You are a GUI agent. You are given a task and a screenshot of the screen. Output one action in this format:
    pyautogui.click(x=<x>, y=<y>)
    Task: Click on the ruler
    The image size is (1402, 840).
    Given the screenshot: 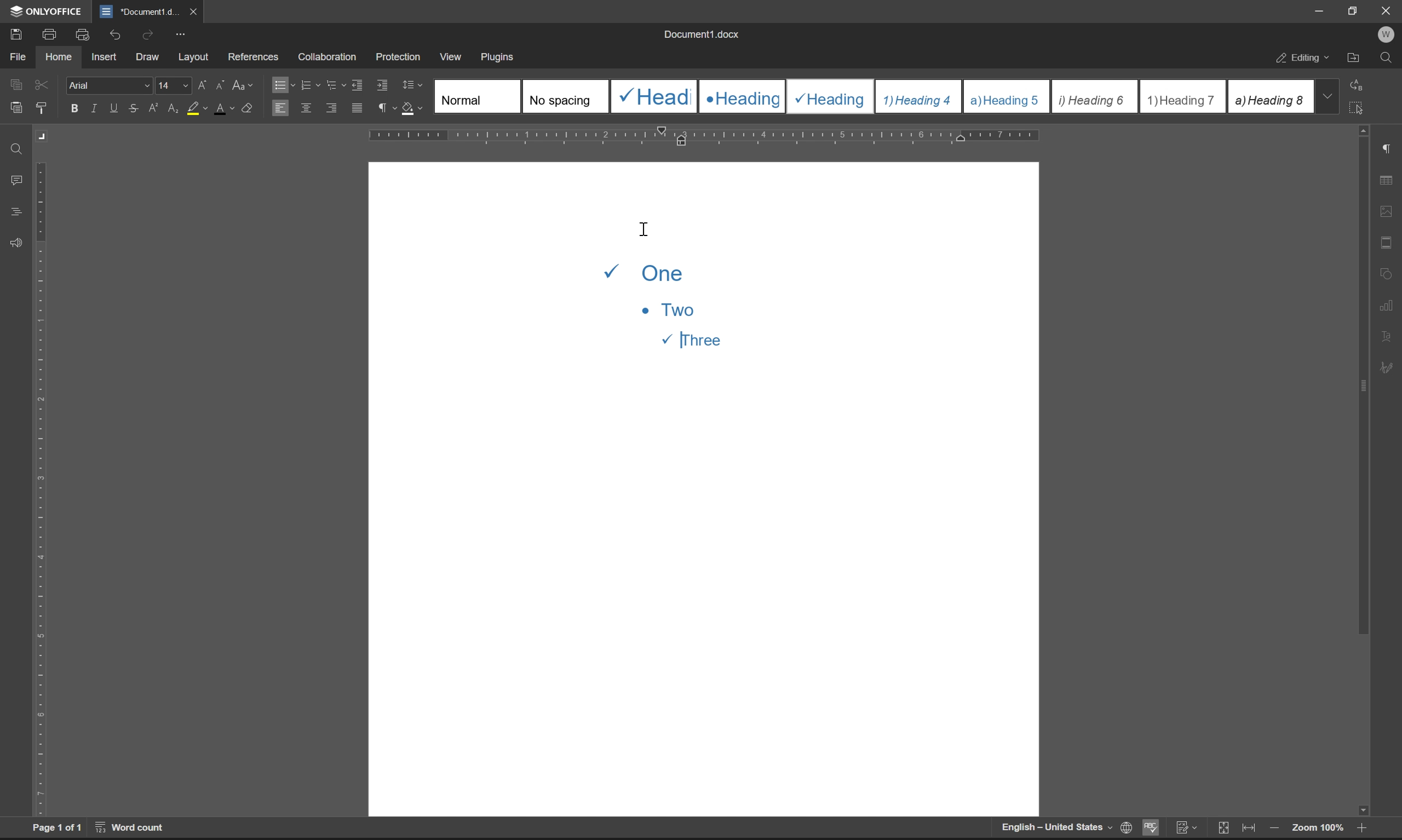 What is the action you would take?
    pyautogui.click(x=41, y=488)
    